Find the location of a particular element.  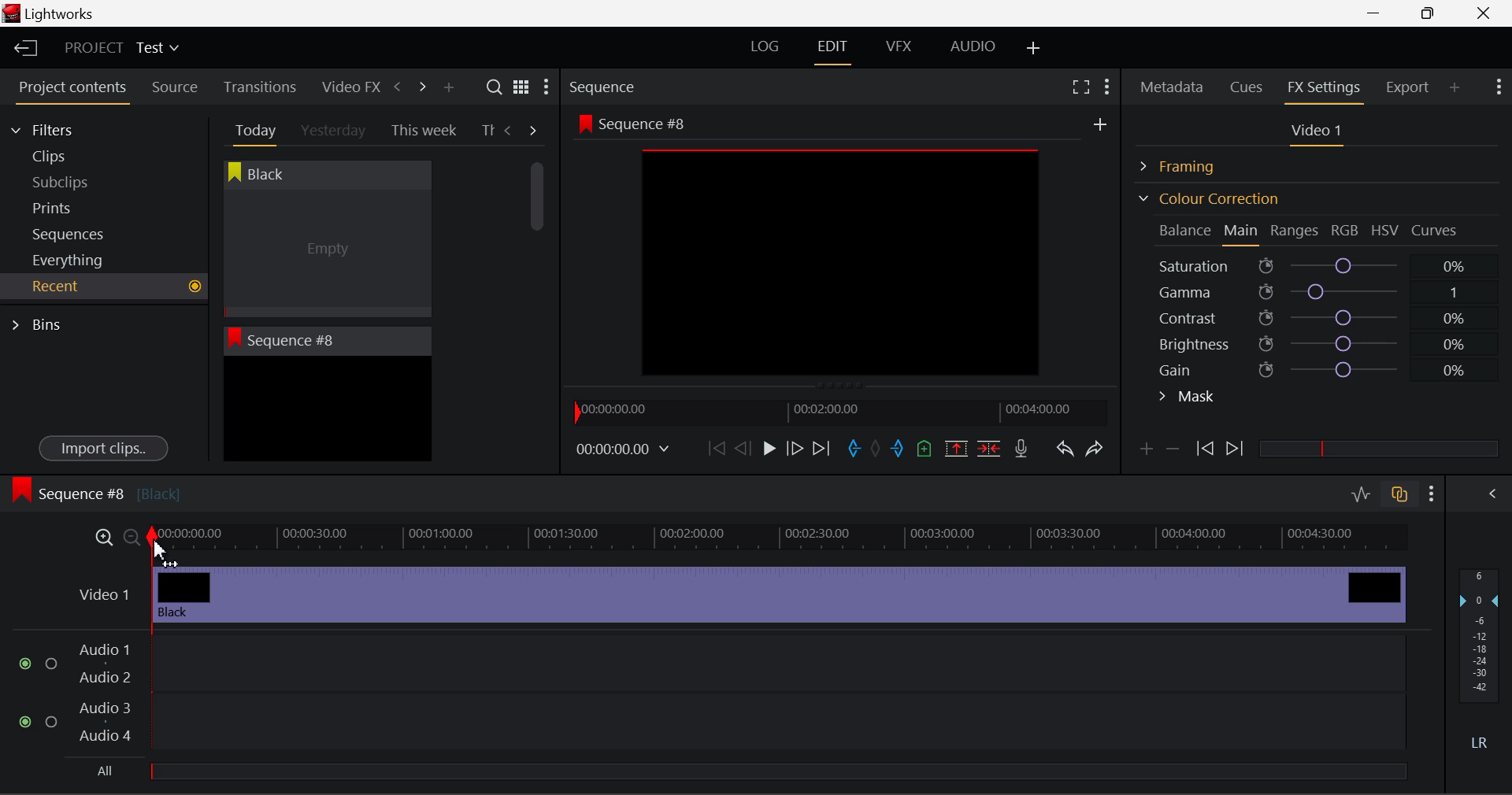

Remove All Marks is located at coordinates (877, 450).